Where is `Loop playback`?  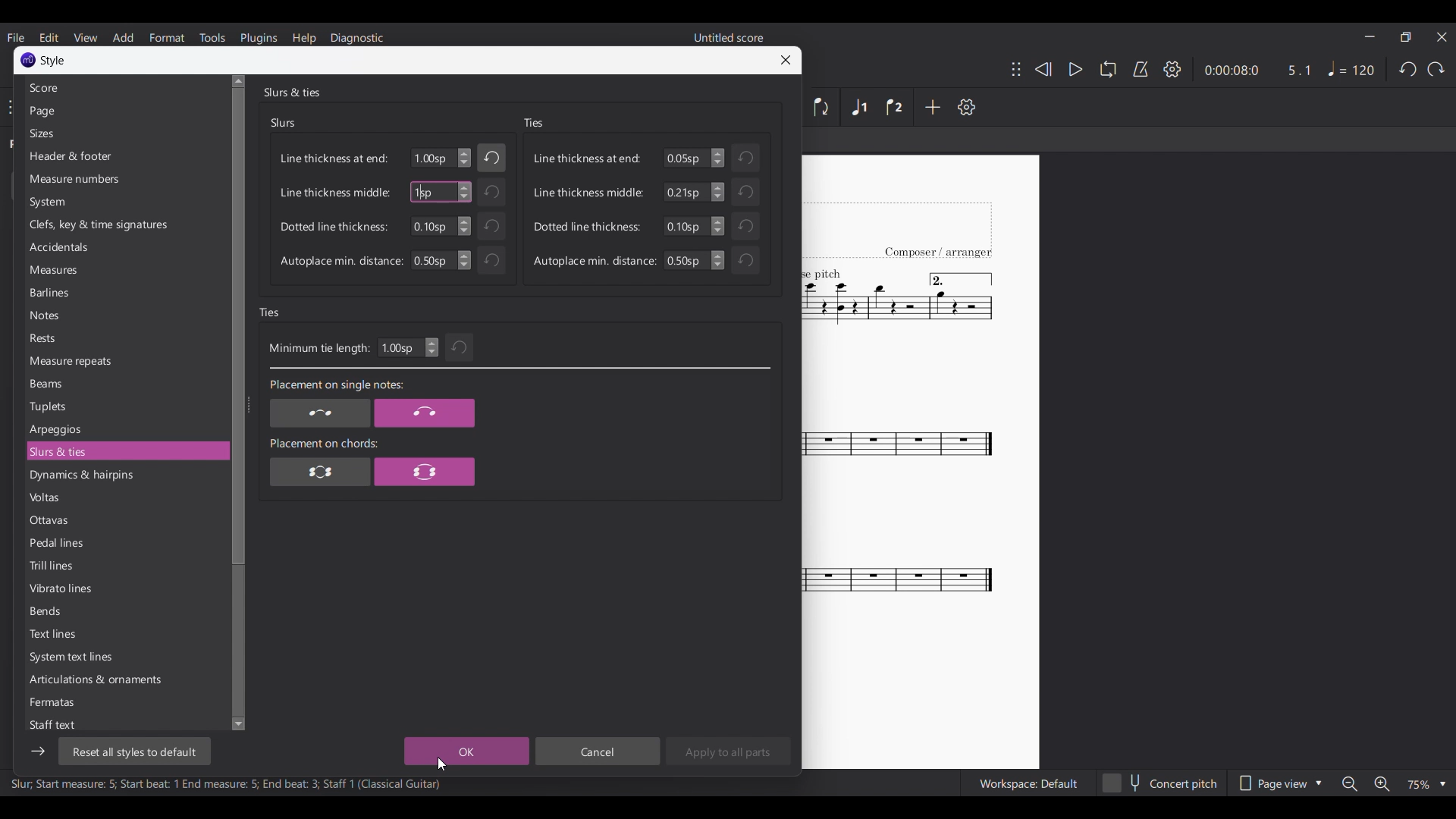
Loop playback is located at coordinates (1108, 69).